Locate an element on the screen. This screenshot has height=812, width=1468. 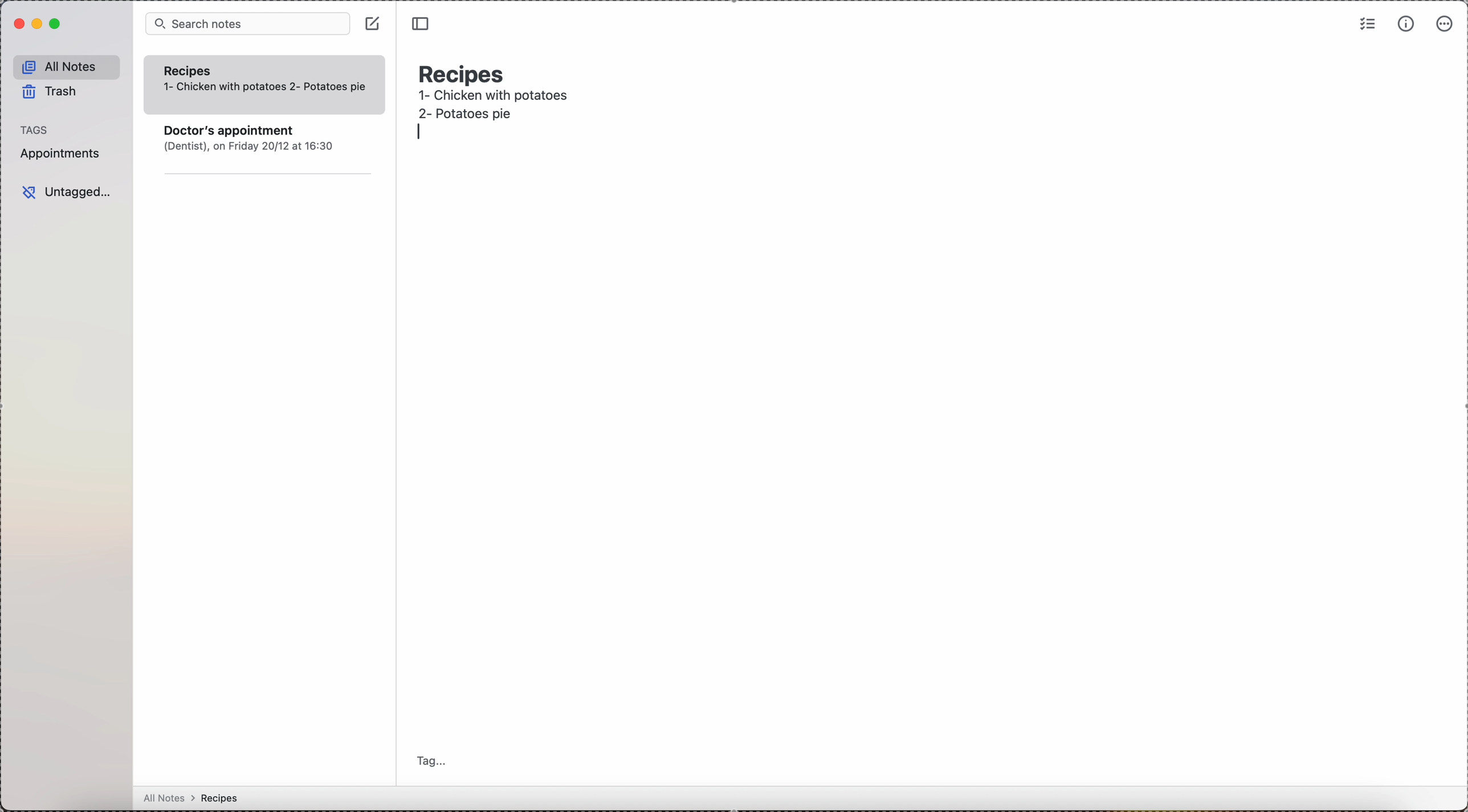
tag is located at coordinates (437, 761).